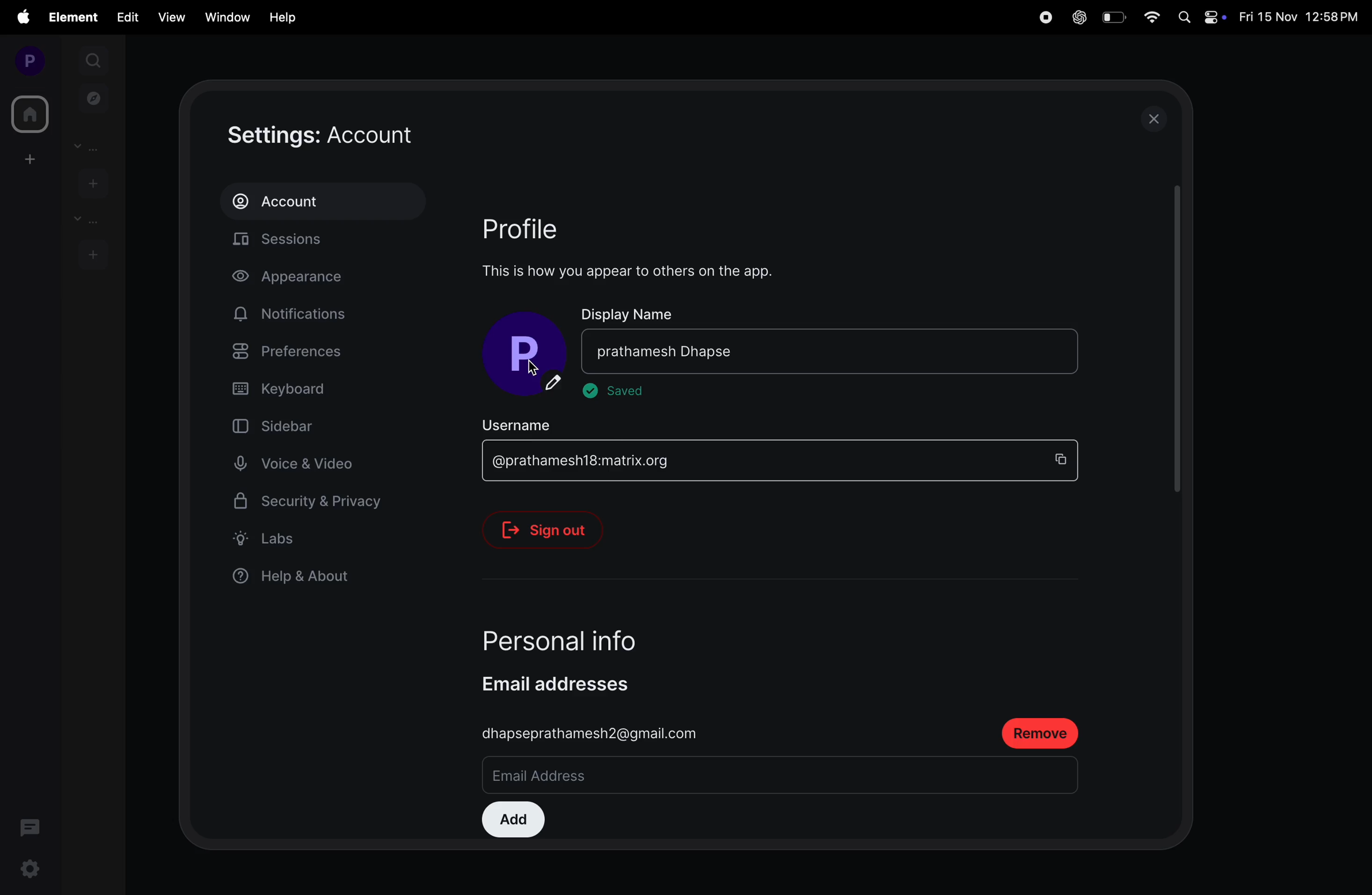 The image size is (1372, 895). I want to click on threads, so click(31, 826).